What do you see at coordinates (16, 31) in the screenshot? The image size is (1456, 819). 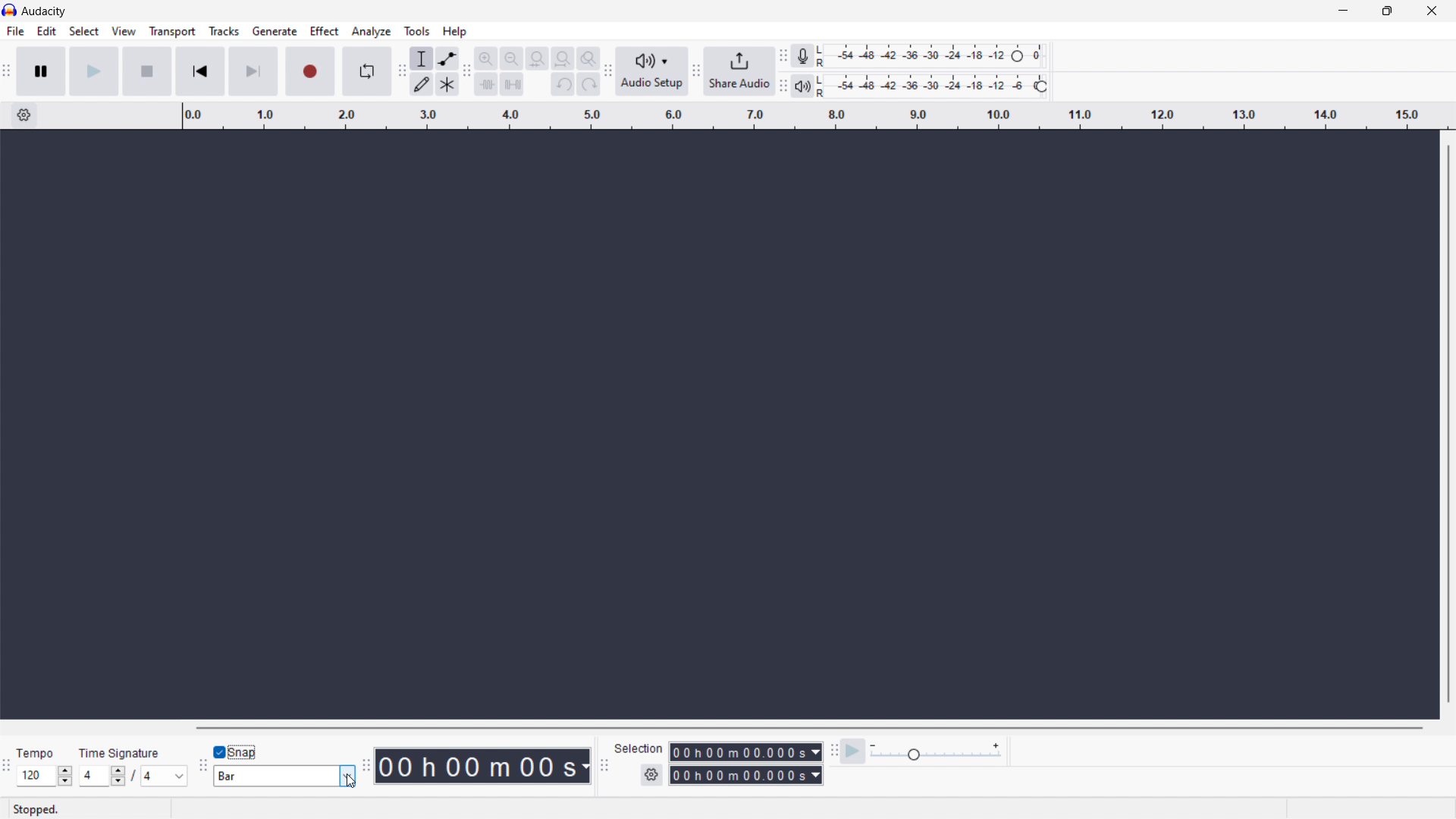 I see `file` at bounding box center [16, 31].